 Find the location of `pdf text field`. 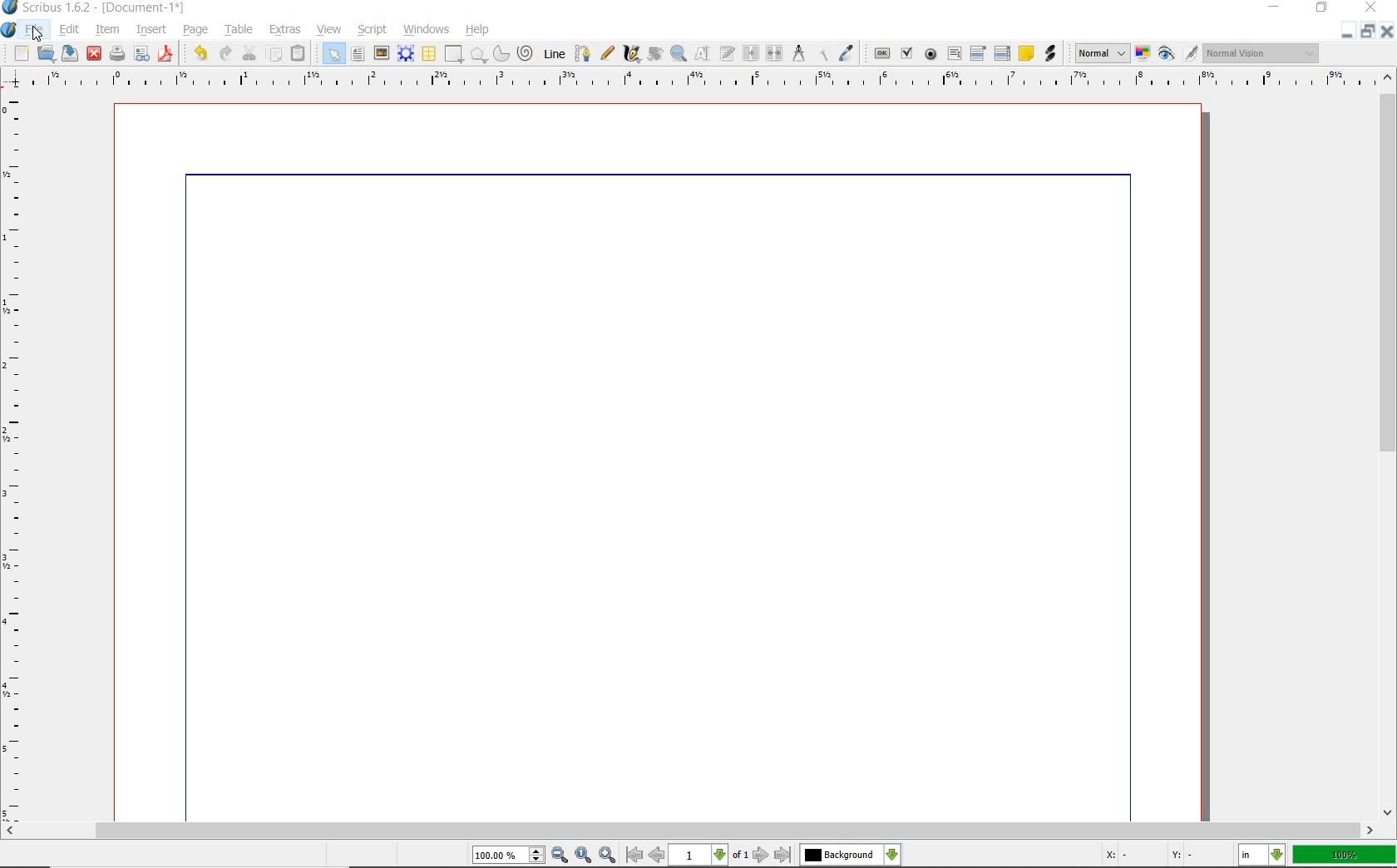

pdf text field is located at coordinates (954, 54).